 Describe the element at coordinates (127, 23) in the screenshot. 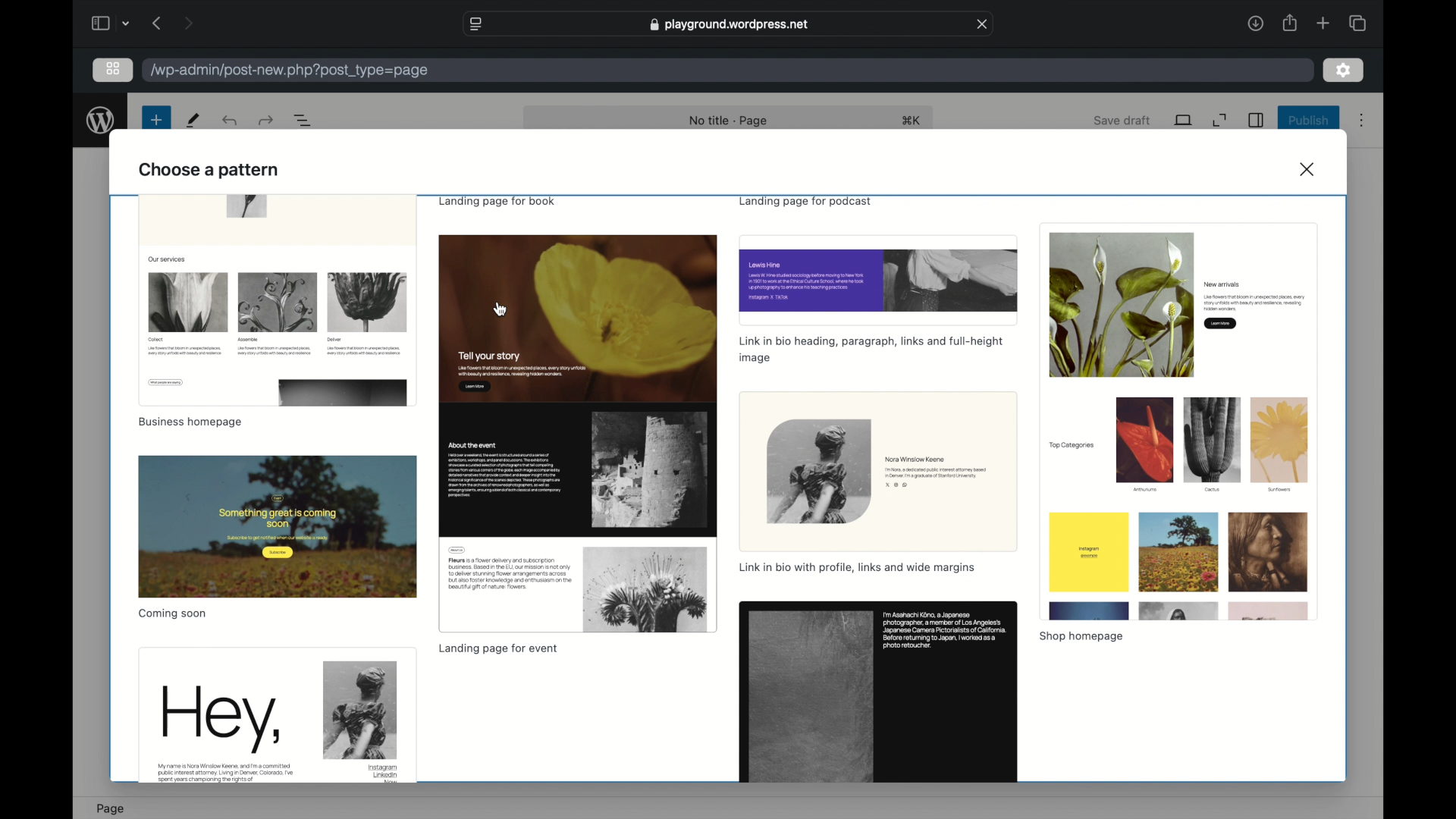

I see `tab group picker` at that location.